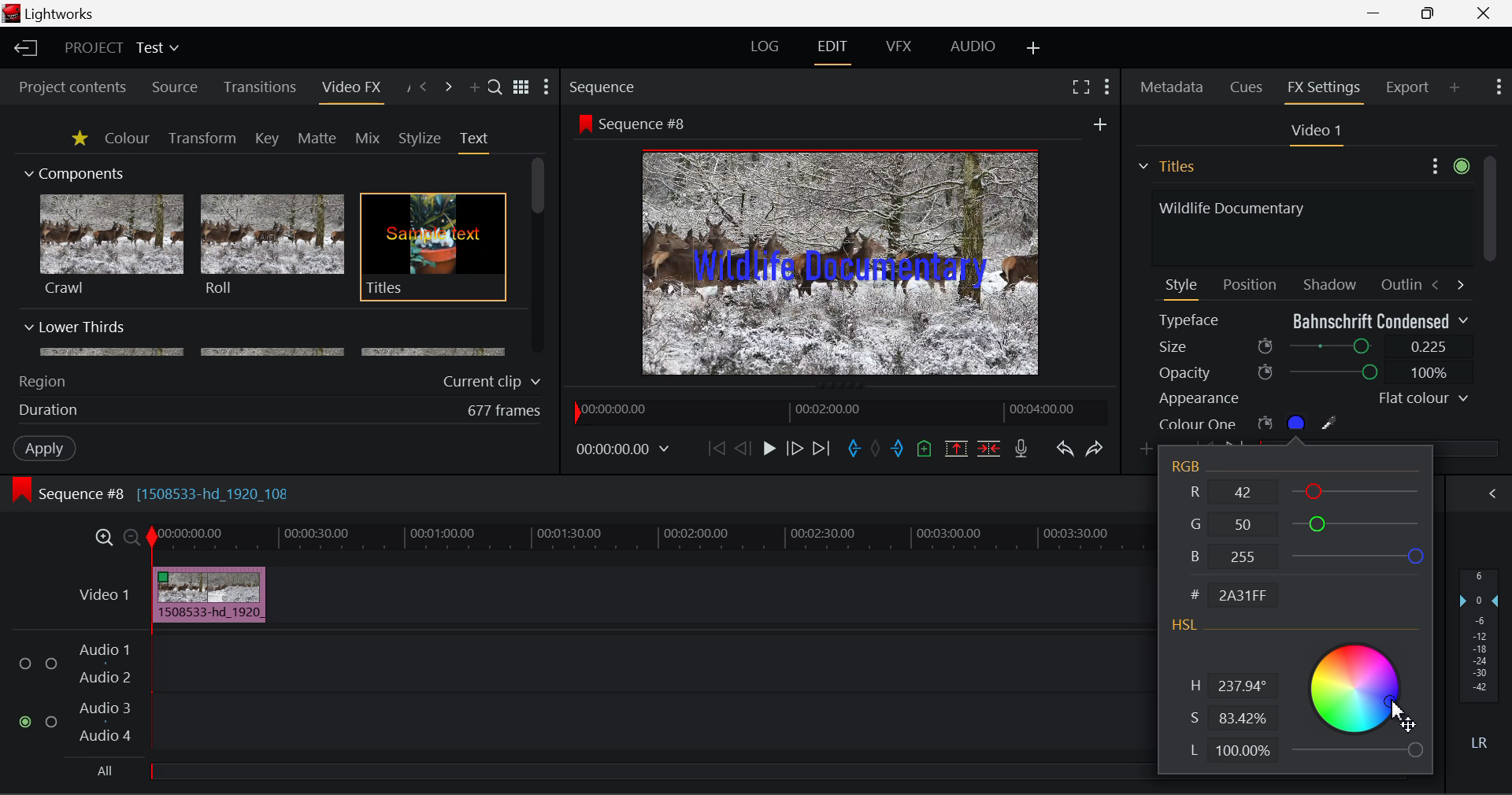 Image resolution: width=1512 pixels, height=795 pixels. I want to click on Components Section, so click(72, 170).